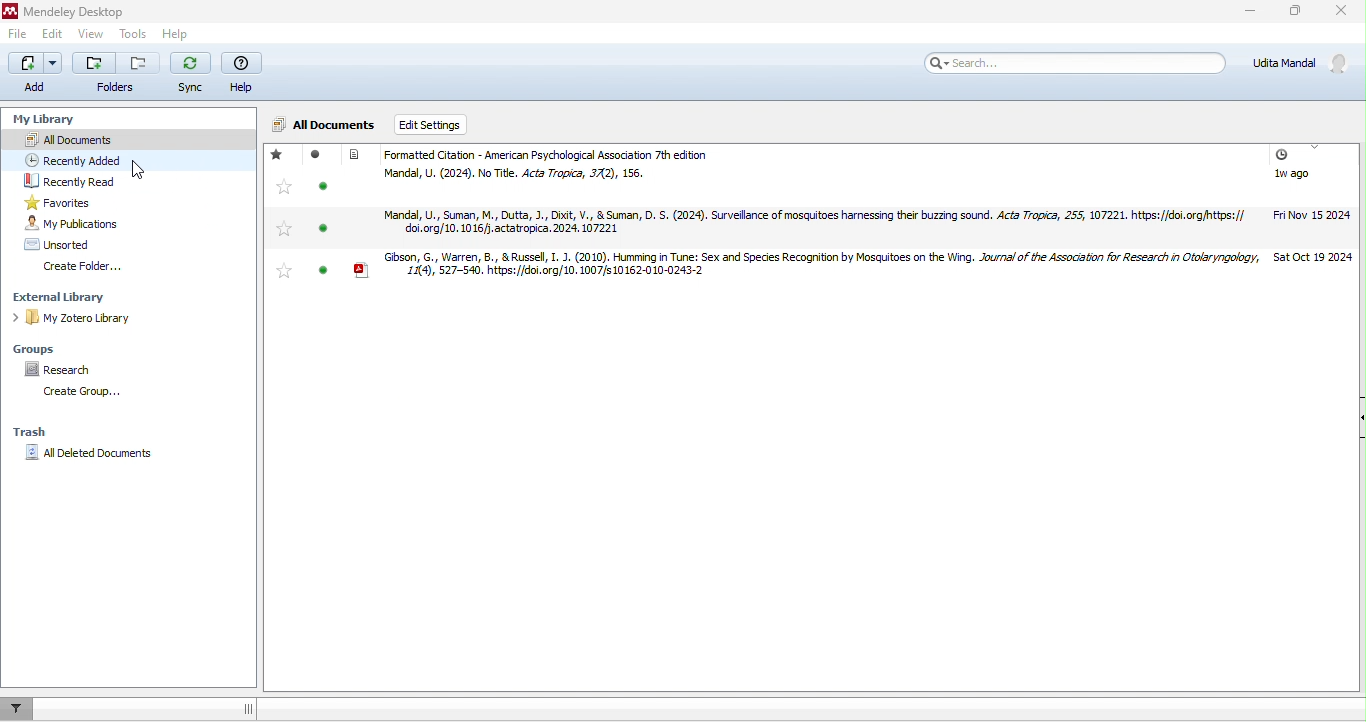 The image size is (1366, 722). I want to click on favorites, so click(286, 270).